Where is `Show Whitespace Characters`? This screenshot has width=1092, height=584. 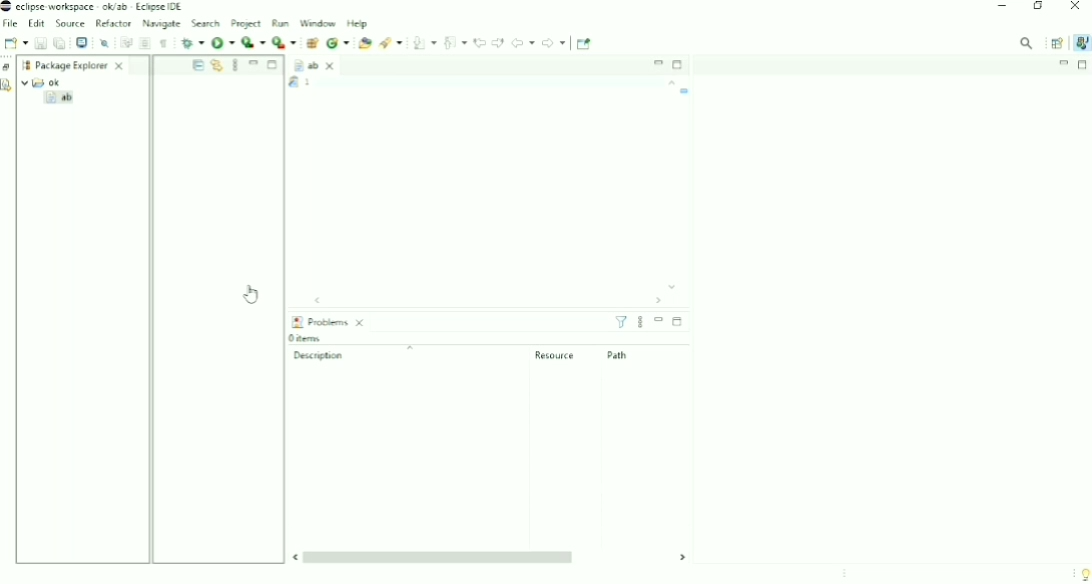
Show Whitespace Characters is located at coordinates (164, 44).